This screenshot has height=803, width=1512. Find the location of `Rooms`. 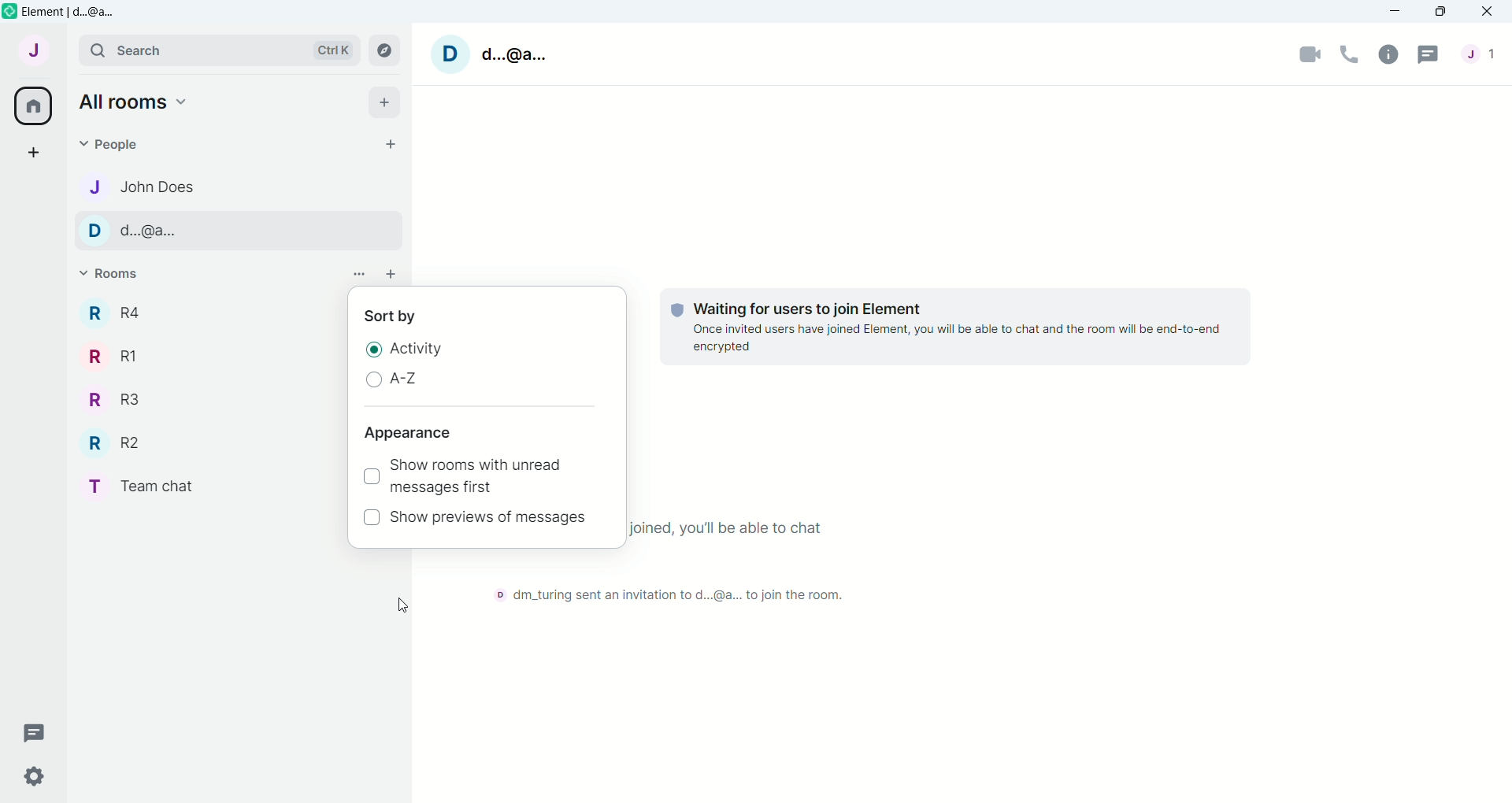

Rooms is located at coordinates (119, 276).